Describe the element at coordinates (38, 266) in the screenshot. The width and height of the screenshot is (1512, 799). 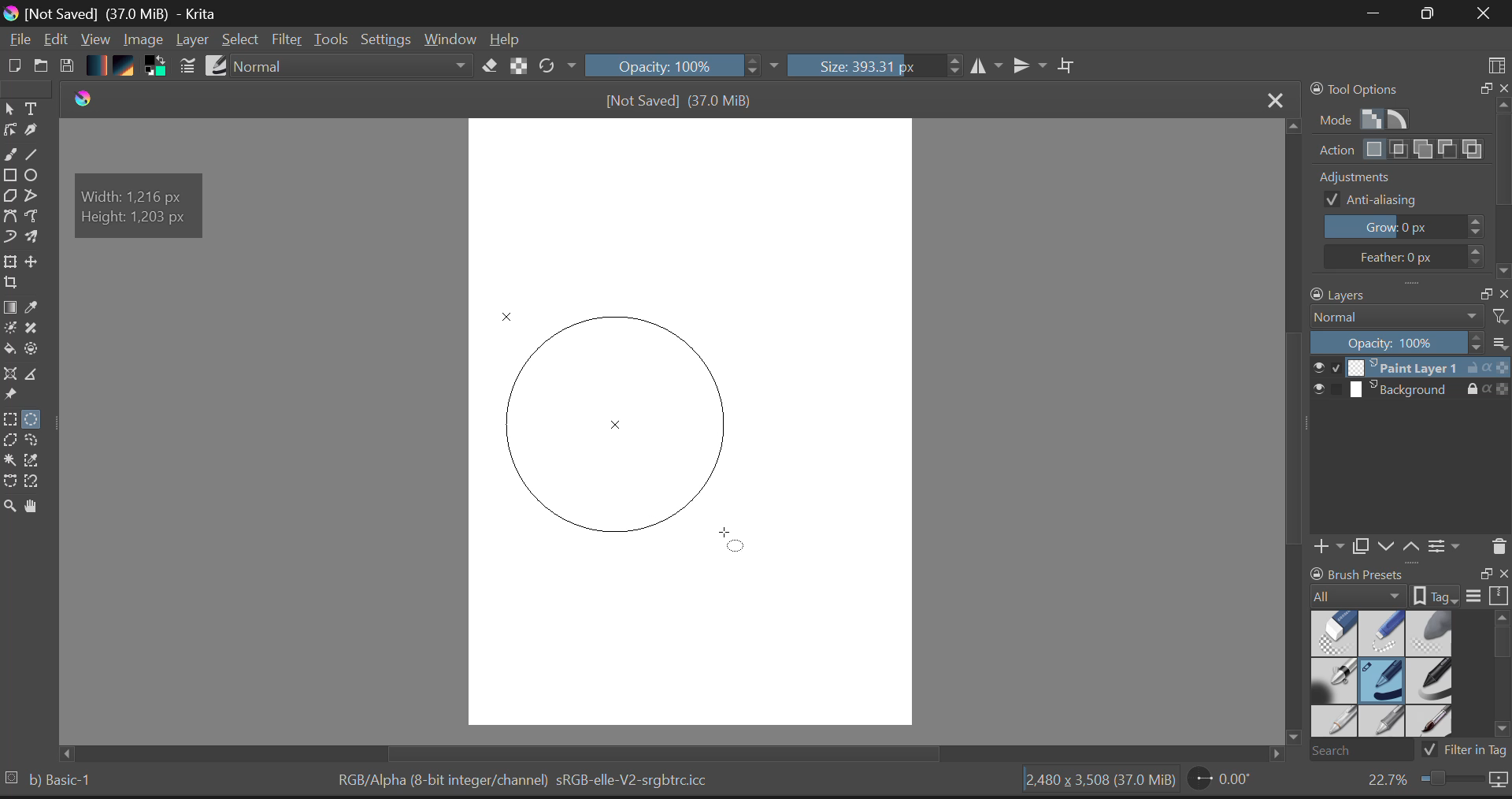
I see `Move Layer` at that location.